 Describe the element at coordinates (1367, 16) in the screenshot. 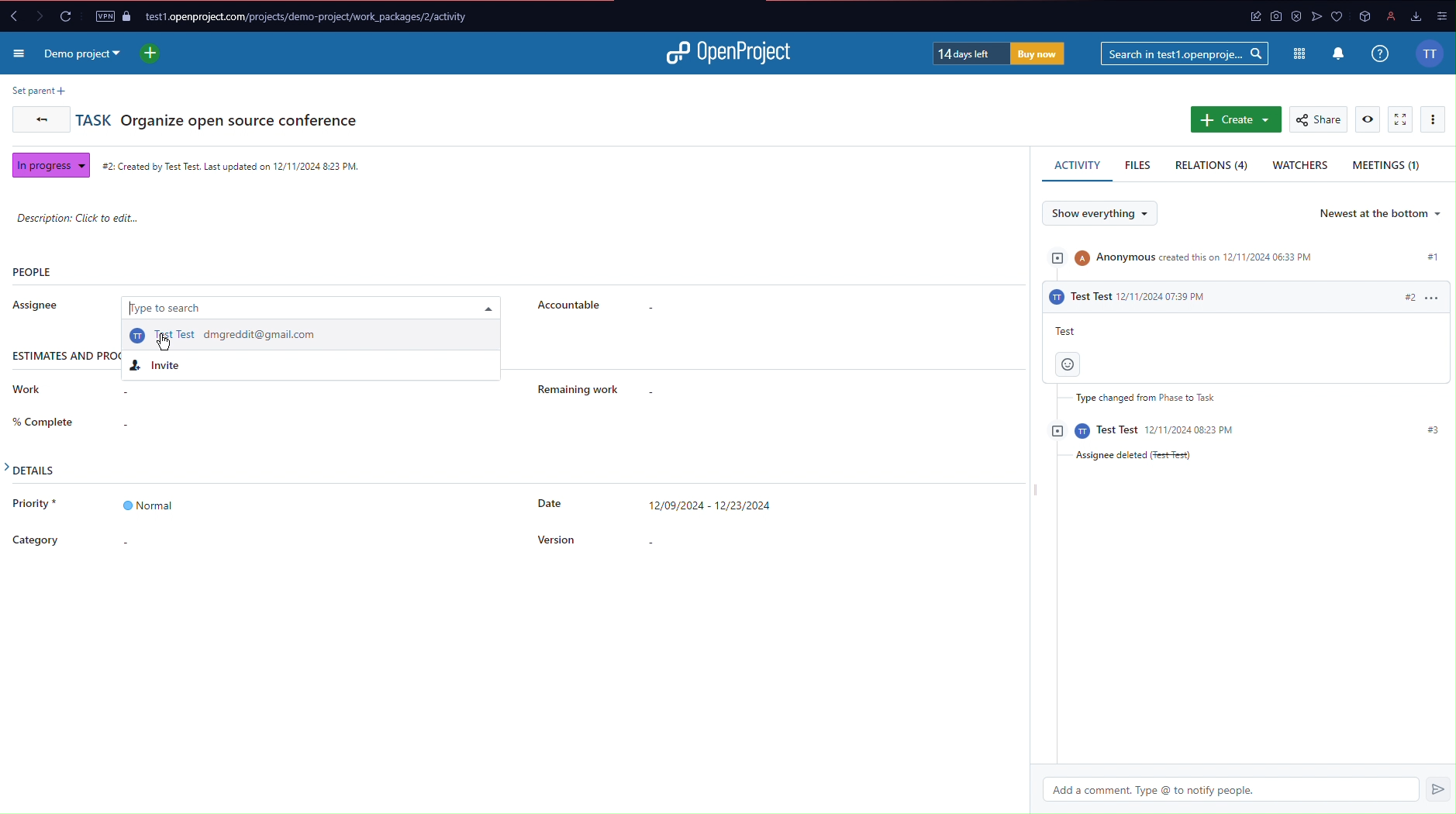

I see `app icon` at that location.